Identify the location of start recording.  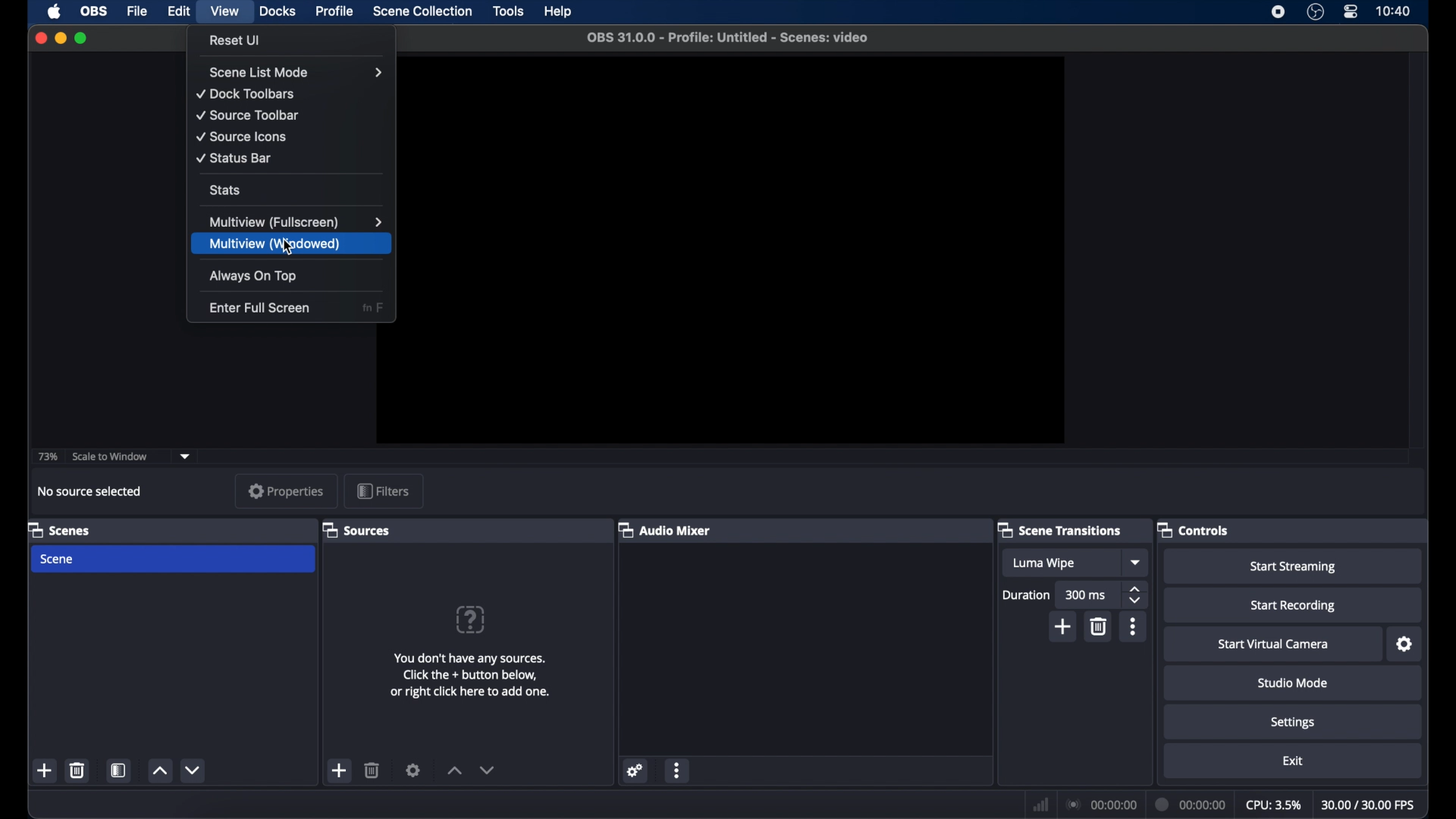
(1294, 605).